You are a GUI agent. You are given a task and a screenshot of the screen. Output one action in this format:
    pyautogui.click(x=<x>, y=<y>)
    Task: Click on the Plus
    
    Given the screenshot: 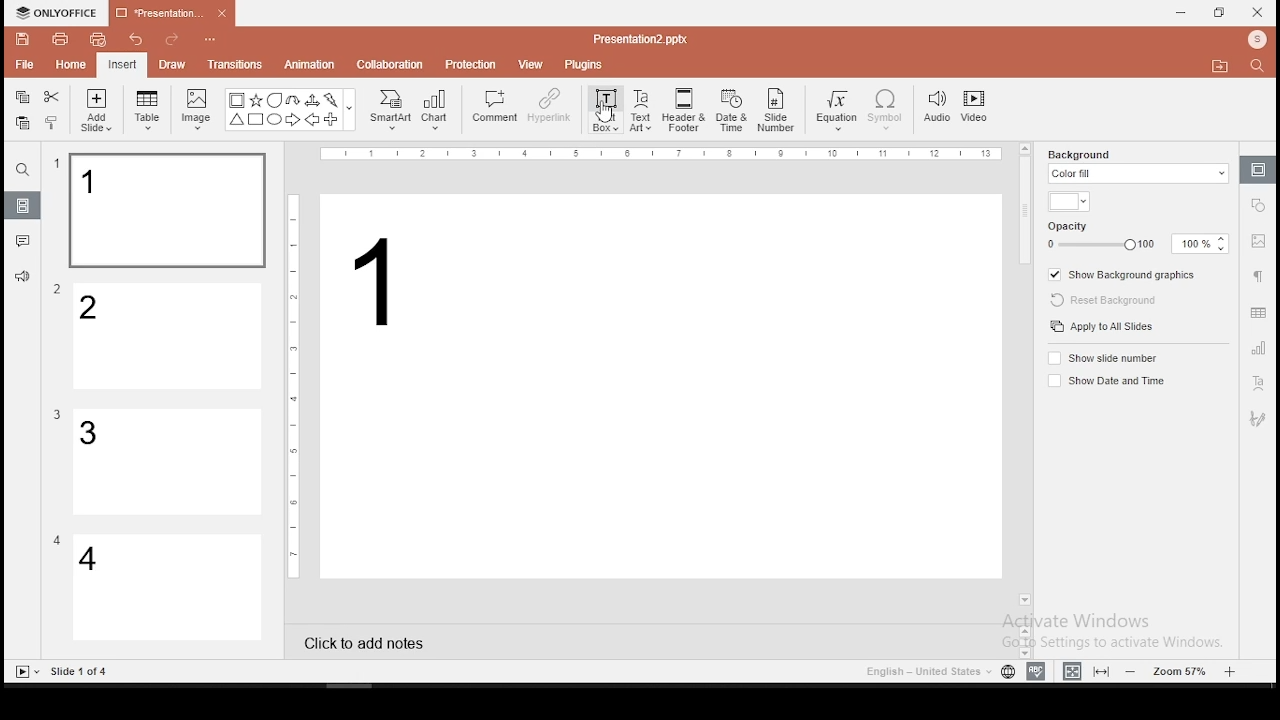 What is the action you would take?
    pyautogui.click(x=332, y=120)
    